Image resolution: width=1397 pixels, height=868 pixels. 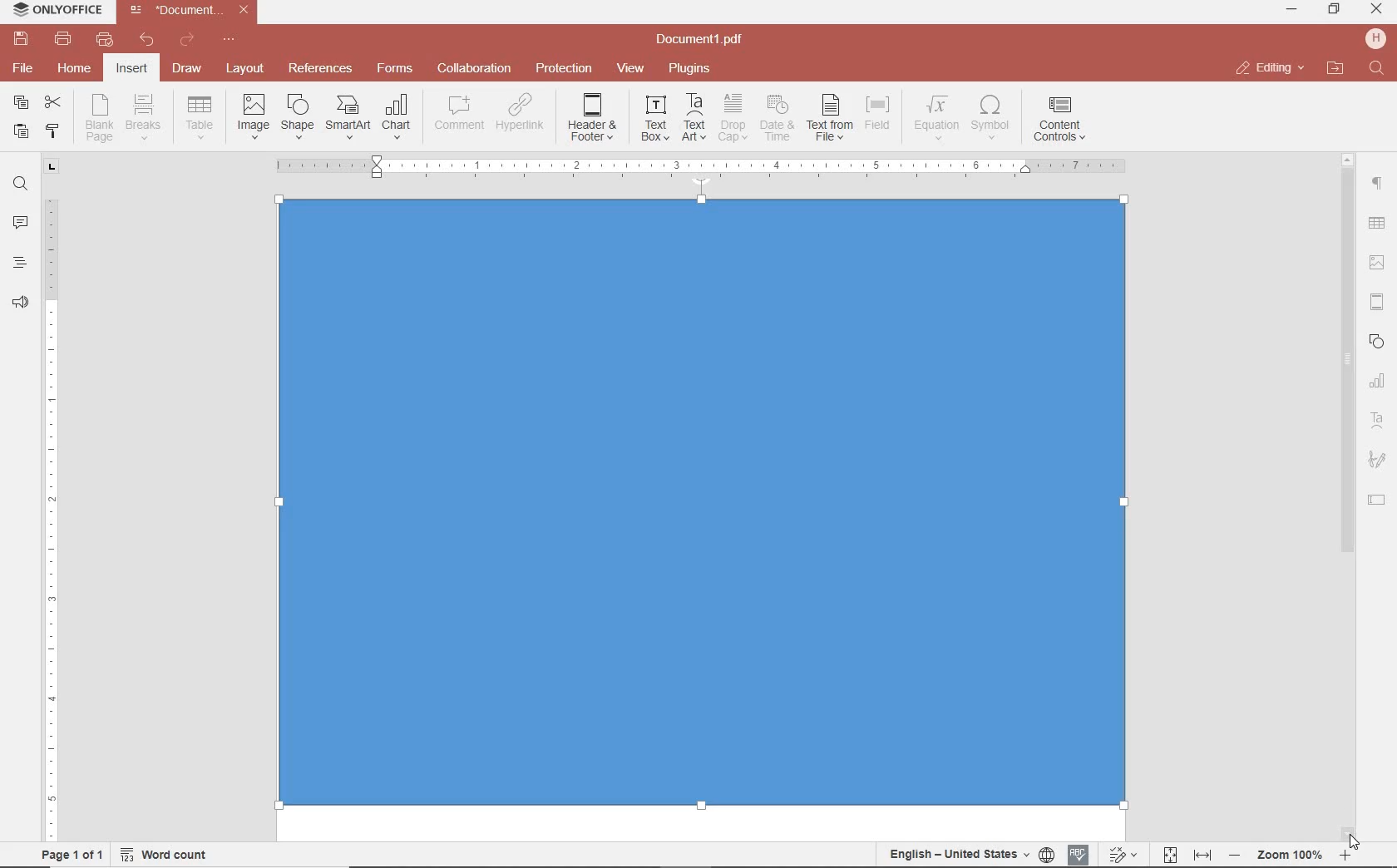 I want to click on INSERT FIELD, so click(x=879, y=113).